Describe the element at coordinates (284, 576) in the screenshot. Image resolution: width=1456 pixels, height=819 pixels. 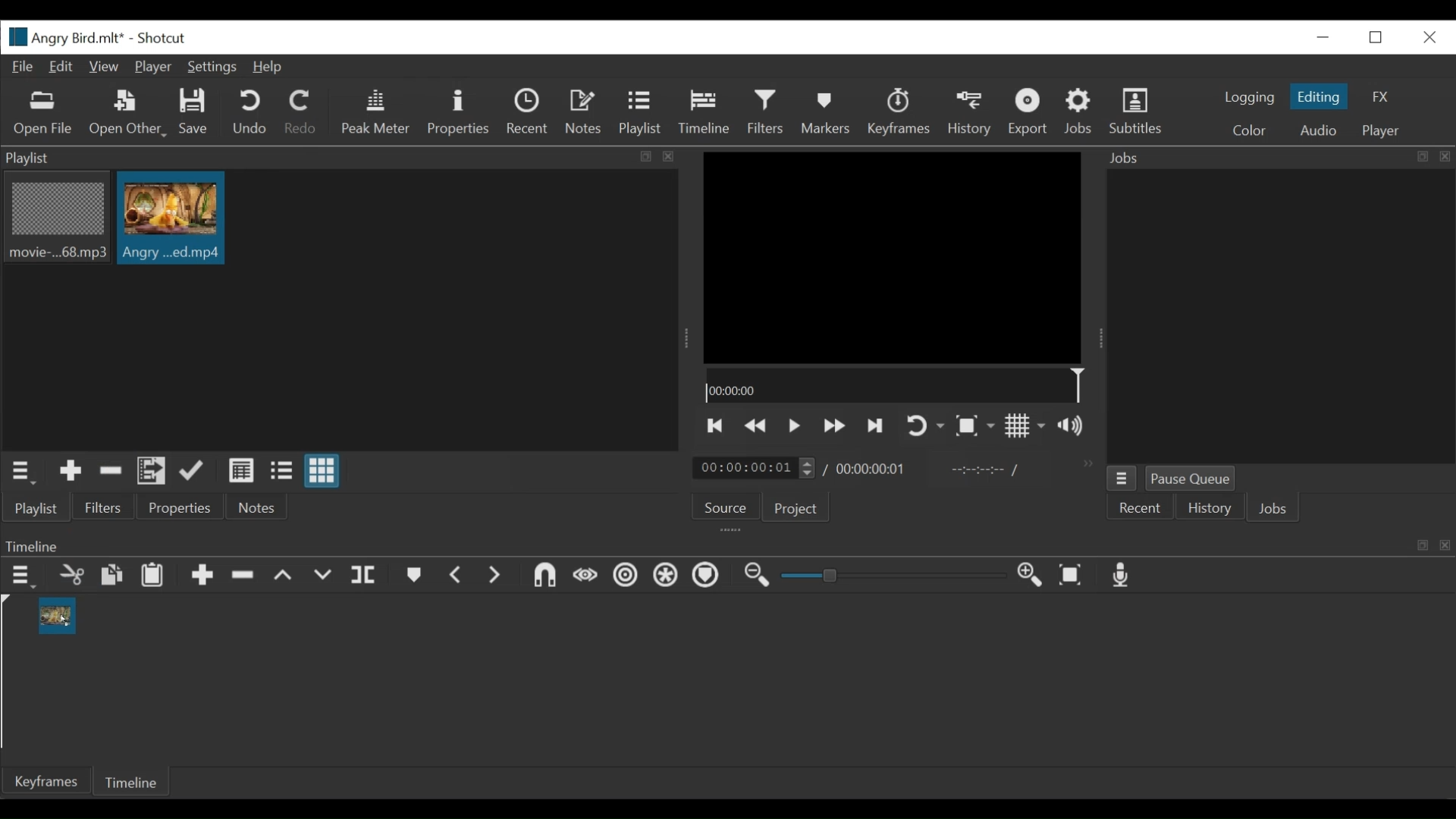
I see `lift` at that location.